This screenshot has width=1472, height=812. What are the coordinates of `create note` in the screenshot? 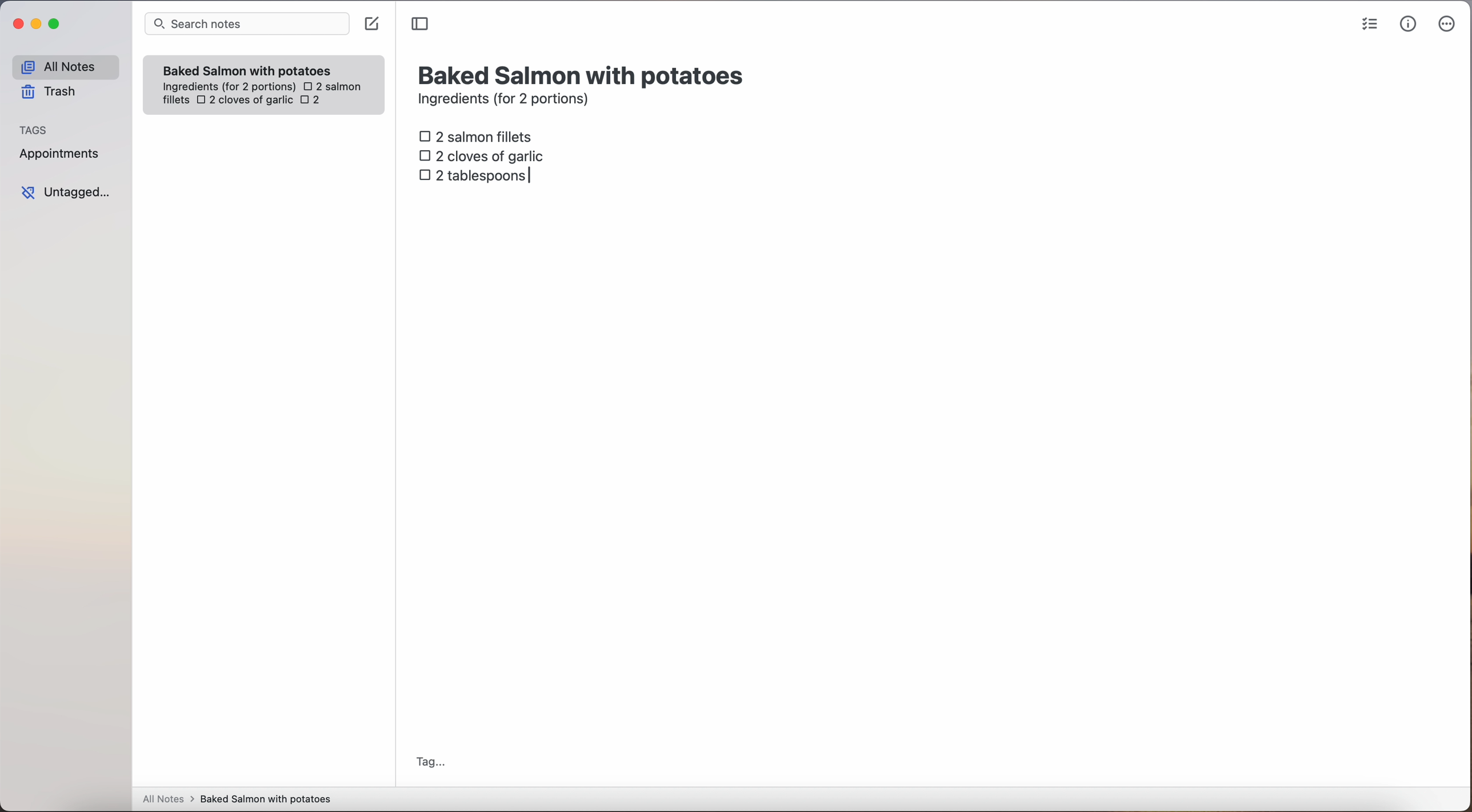 It's located at (371, 24).